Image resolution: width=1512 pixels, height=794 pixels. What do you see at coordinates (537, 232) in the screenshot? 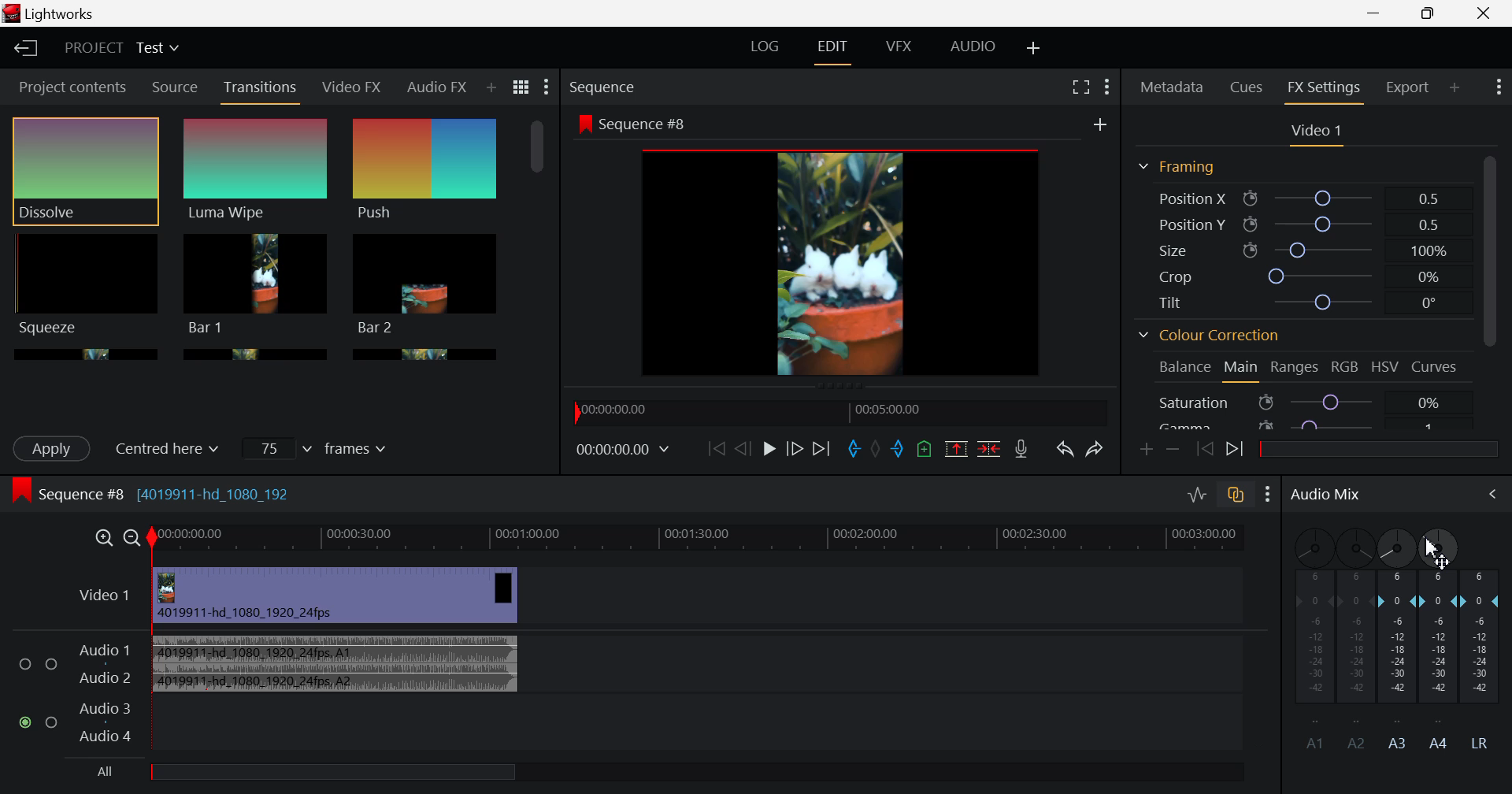
I see `Scroll Bar` at bounding box center [537, 232].